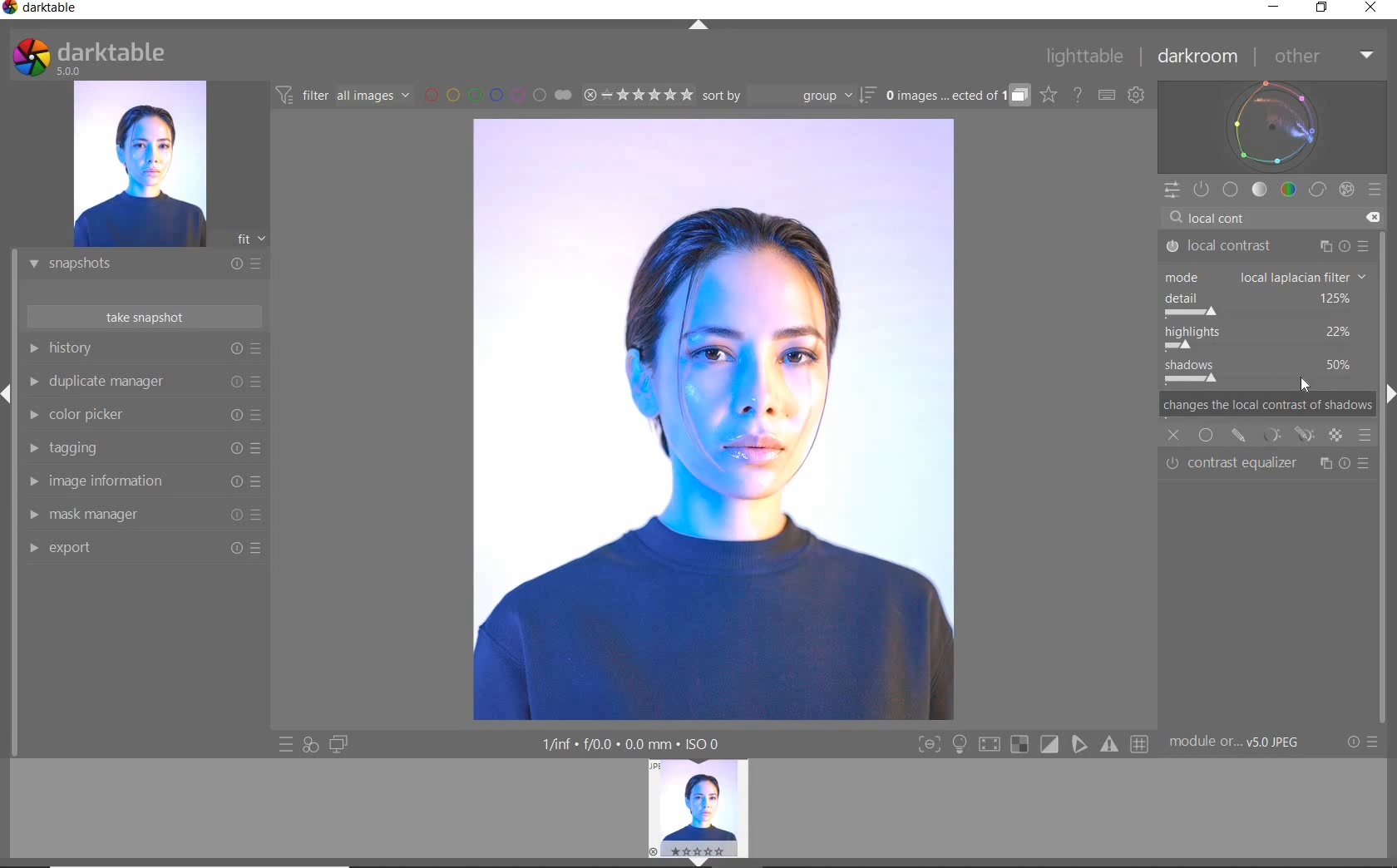 The width and height of the screenshot is (1397, 868). What do you see at coordinates (960, 746) in the screenshot?
I see `Button` at bounding box center [960, 746].